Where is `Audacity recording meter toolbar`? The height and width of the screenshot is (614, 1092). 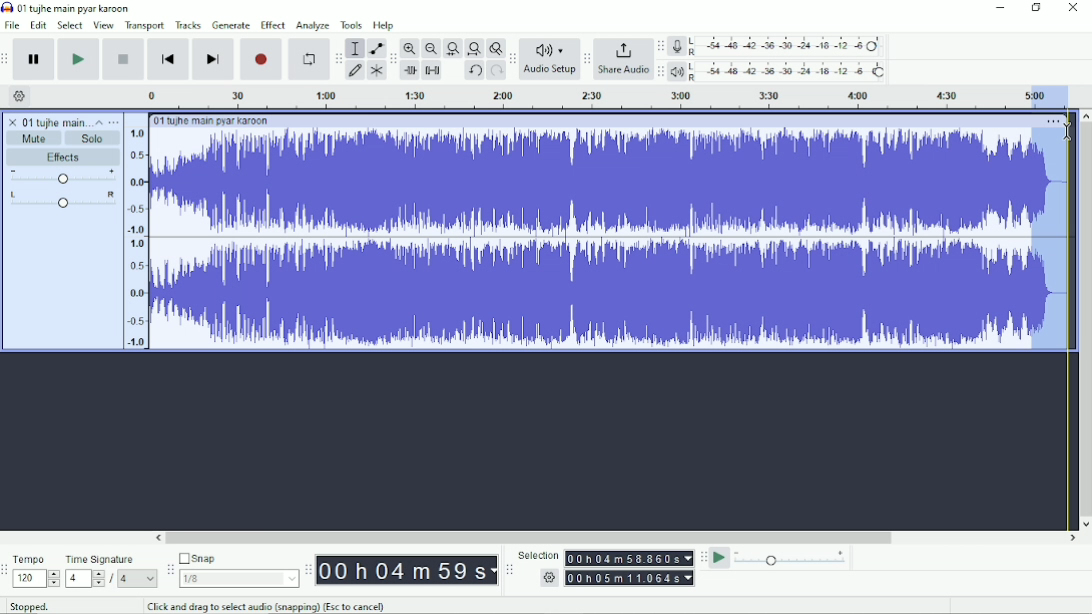
Audacity recording meter toolbar is located at coordinates (661, 47).